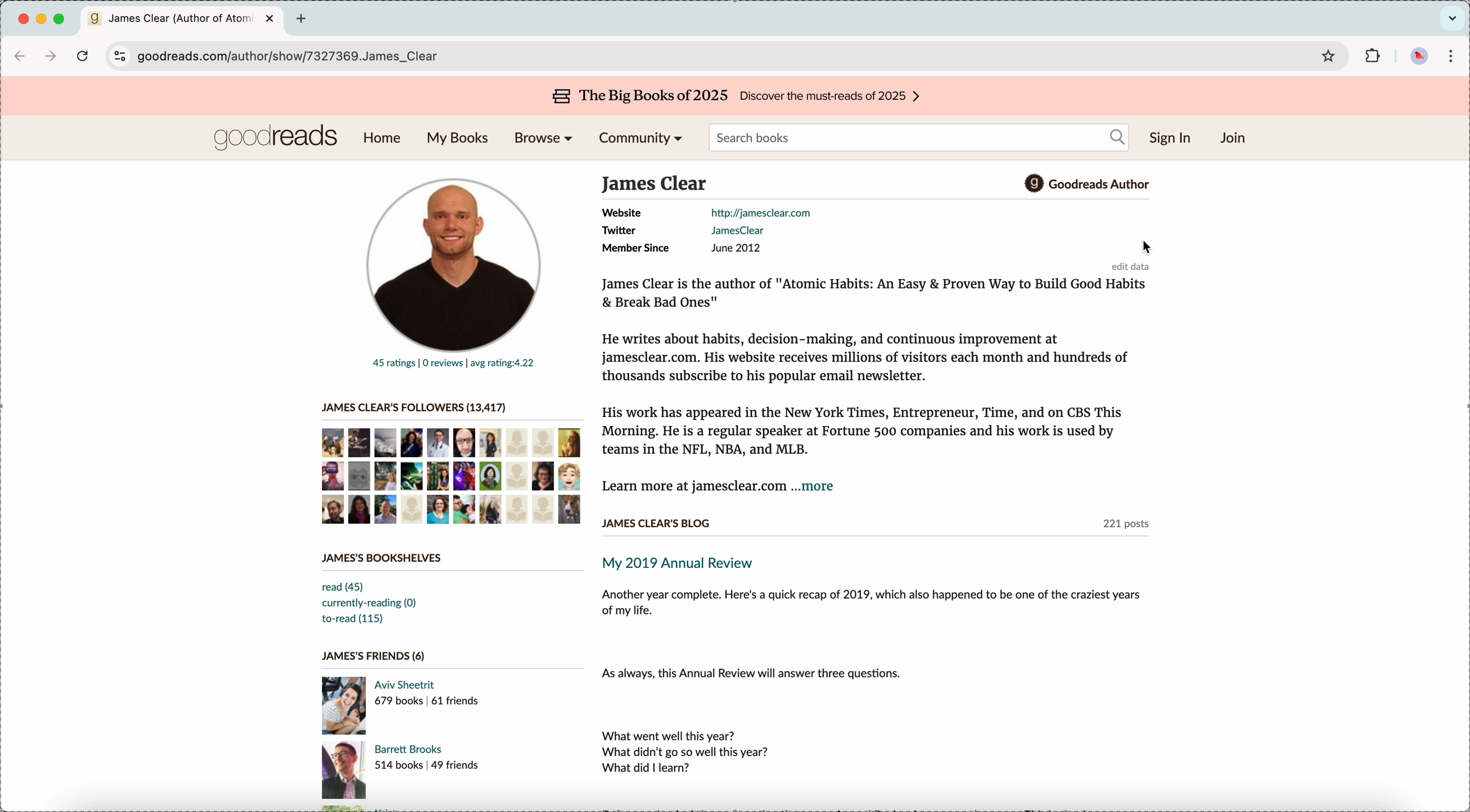 The image size is (1470, 812). What do you see at coordinates (1374, 56) in the screenshot?
I see `extensions` at bounding box center [1374, 56].